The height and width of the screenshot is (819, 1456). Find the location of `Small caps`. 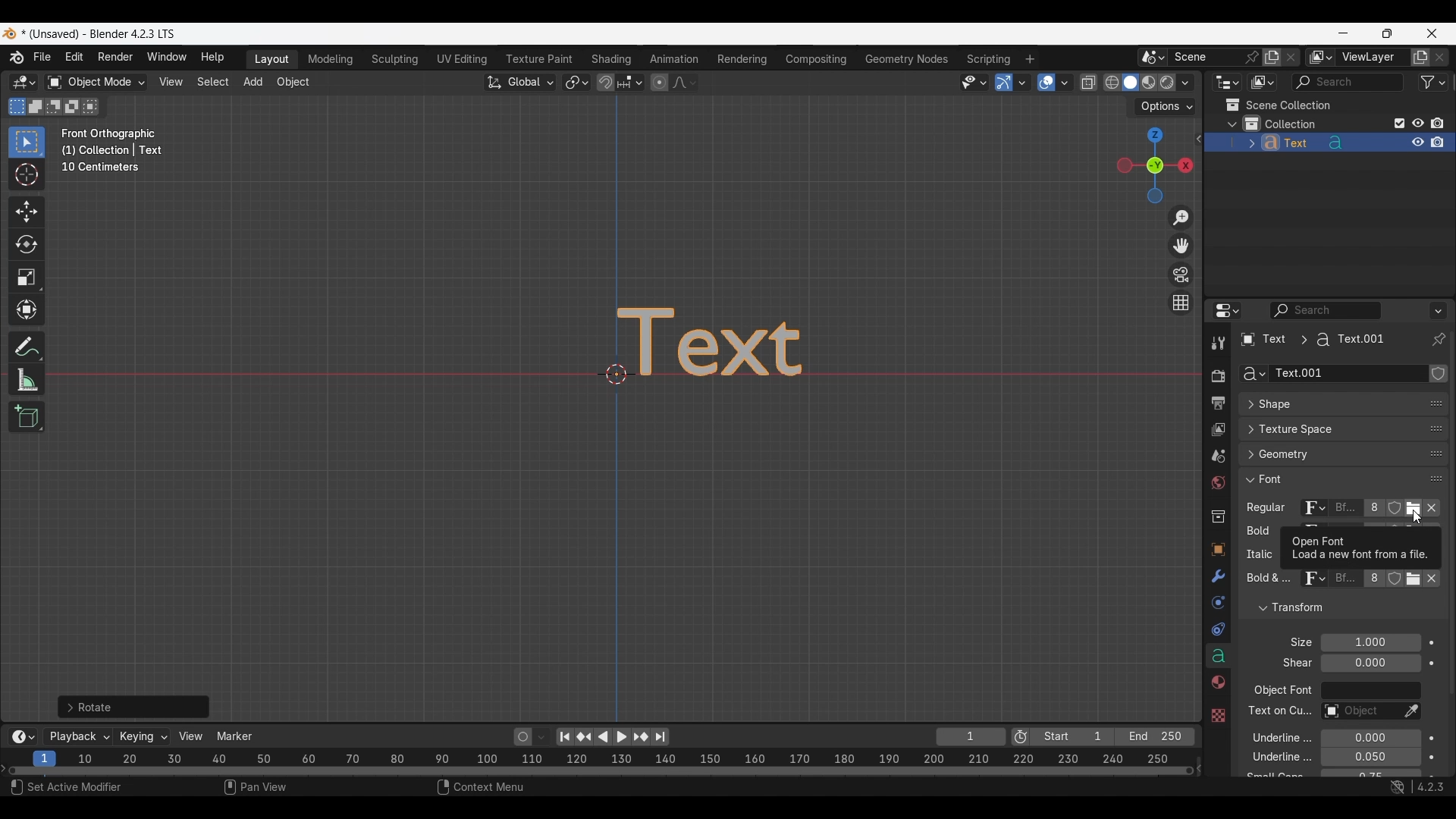

Small caps is located at coordinates (1370, 773).